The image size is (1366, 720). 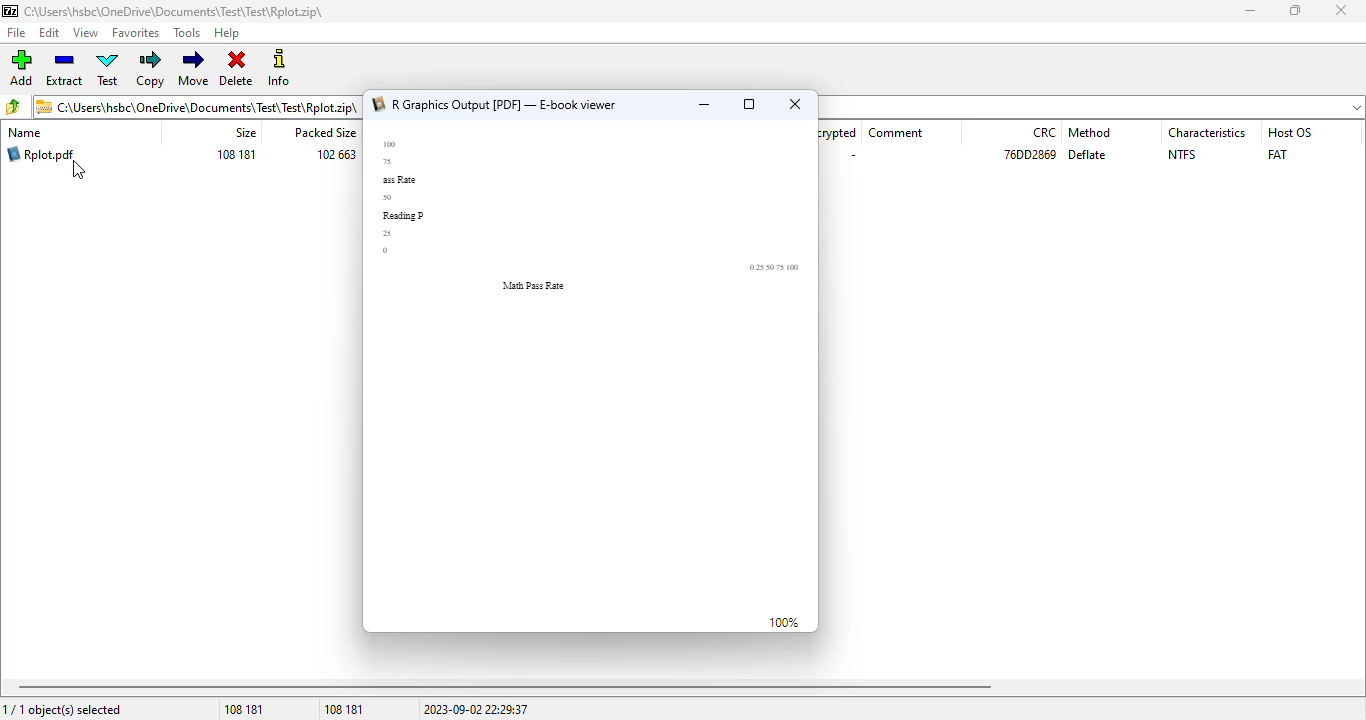 I want to click on C:\Users\hsbc\OneDrive\Documents\ Test\ Test\Rplot.zip\, so click(x=198, y=106).